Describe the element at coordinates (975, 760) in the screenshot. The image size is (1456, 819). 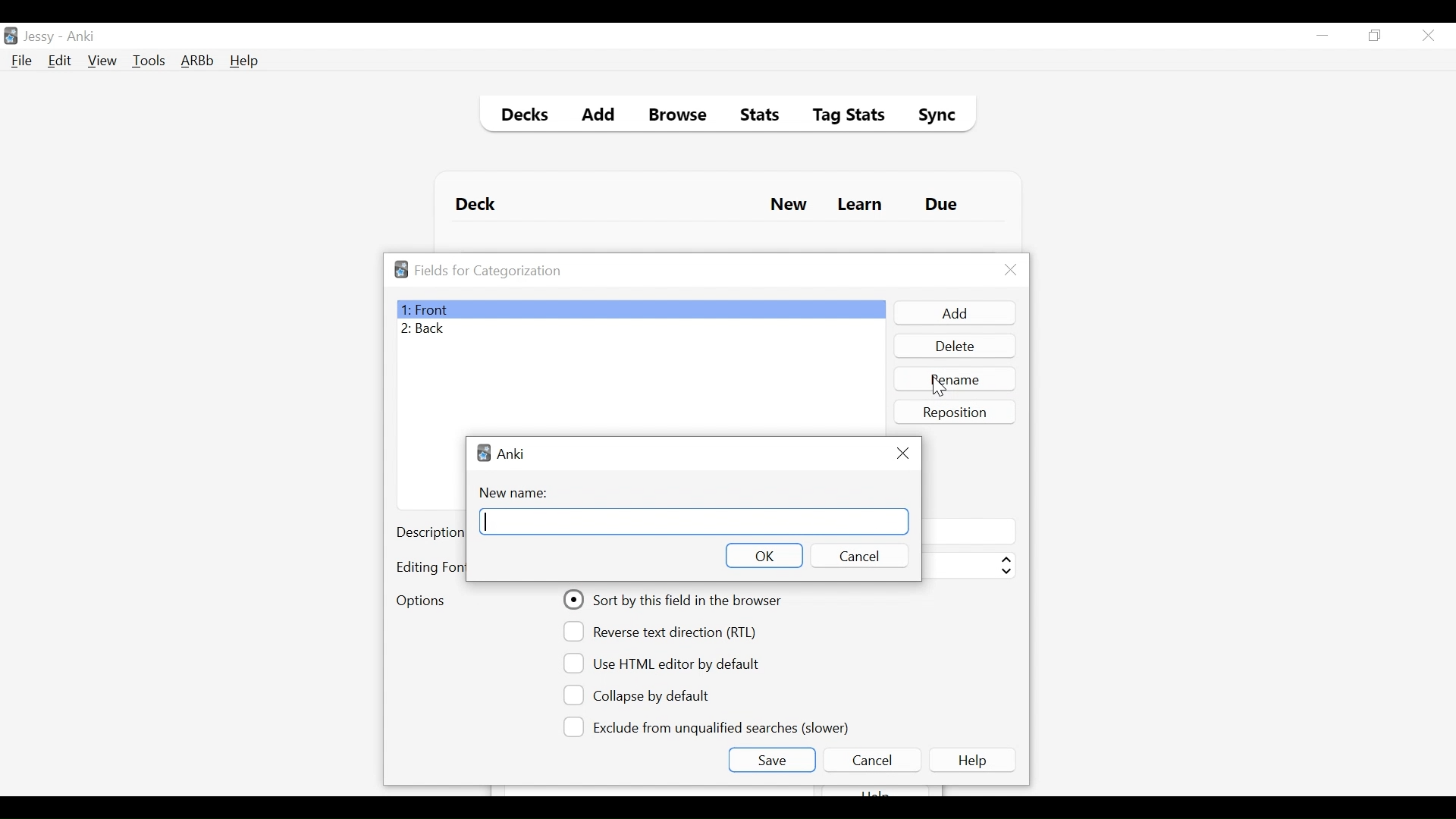
I see `Help` at that location.